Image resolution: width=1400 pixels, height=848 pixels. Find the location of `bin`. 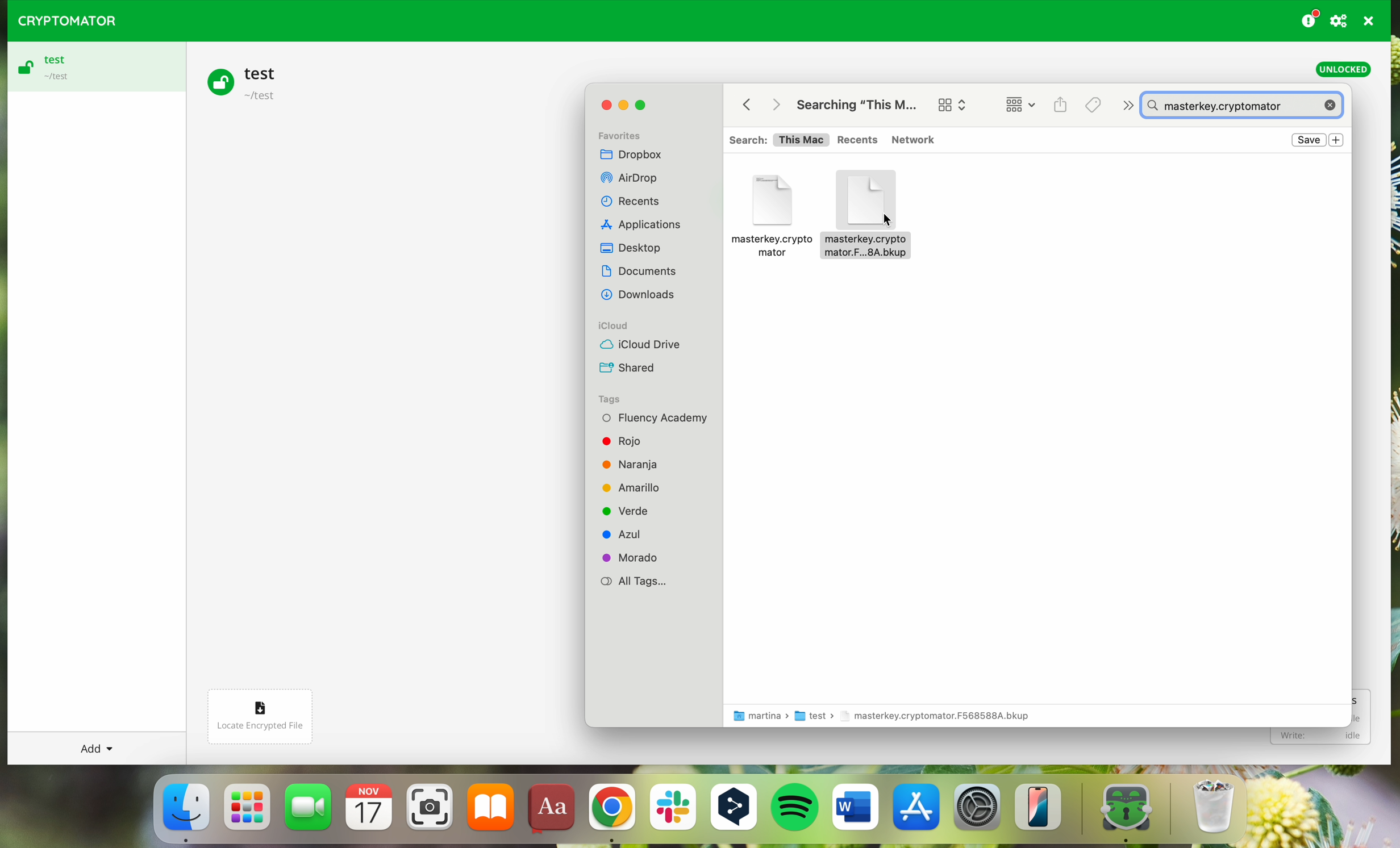

bin is located at coordinates (1200, 808).